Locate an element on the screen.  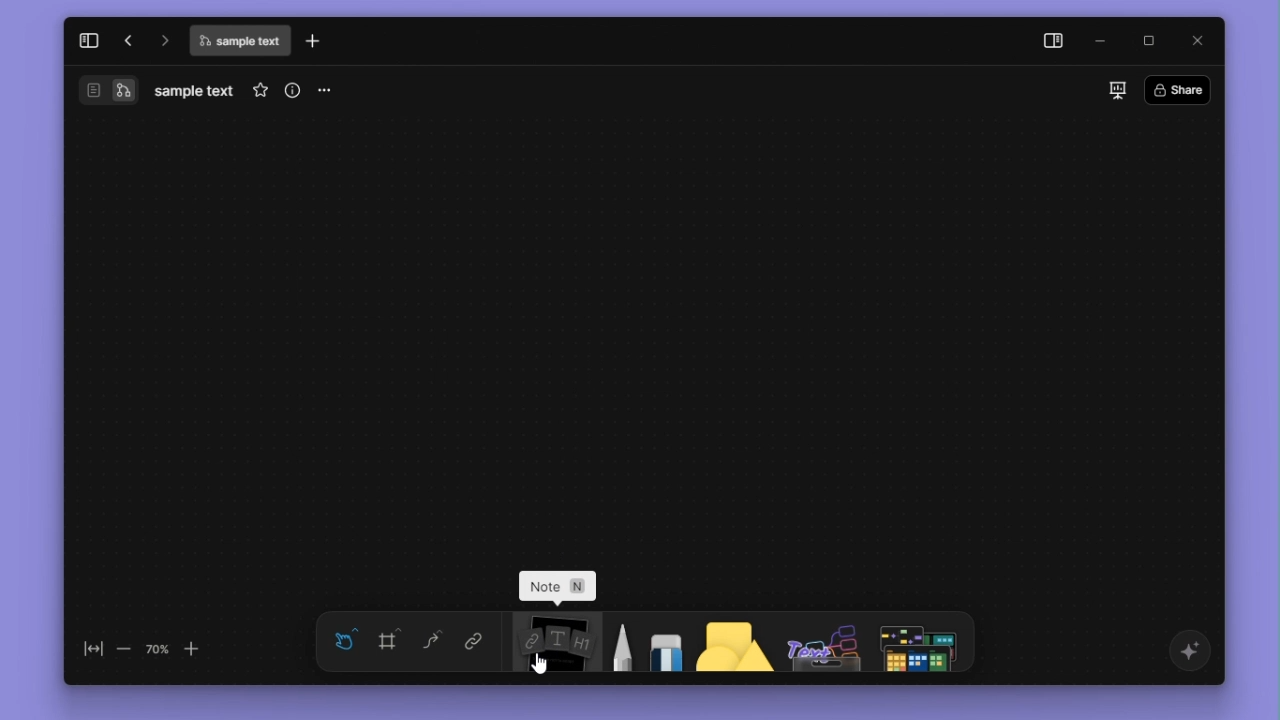
Curve C is located at coordinates (432, 644).